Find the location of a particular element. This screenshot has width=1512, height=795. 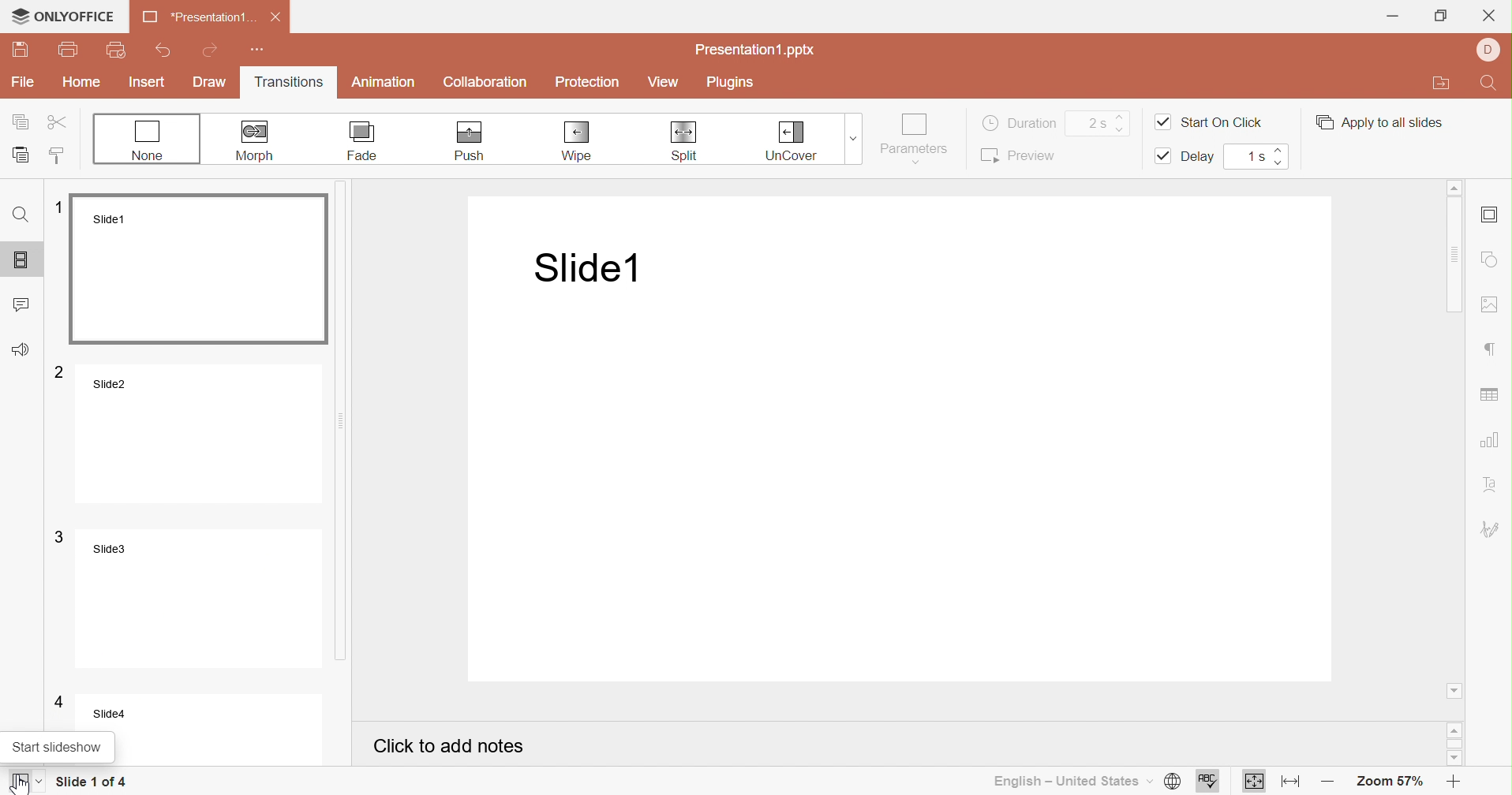

Draw is located at coordinates (211, 84).